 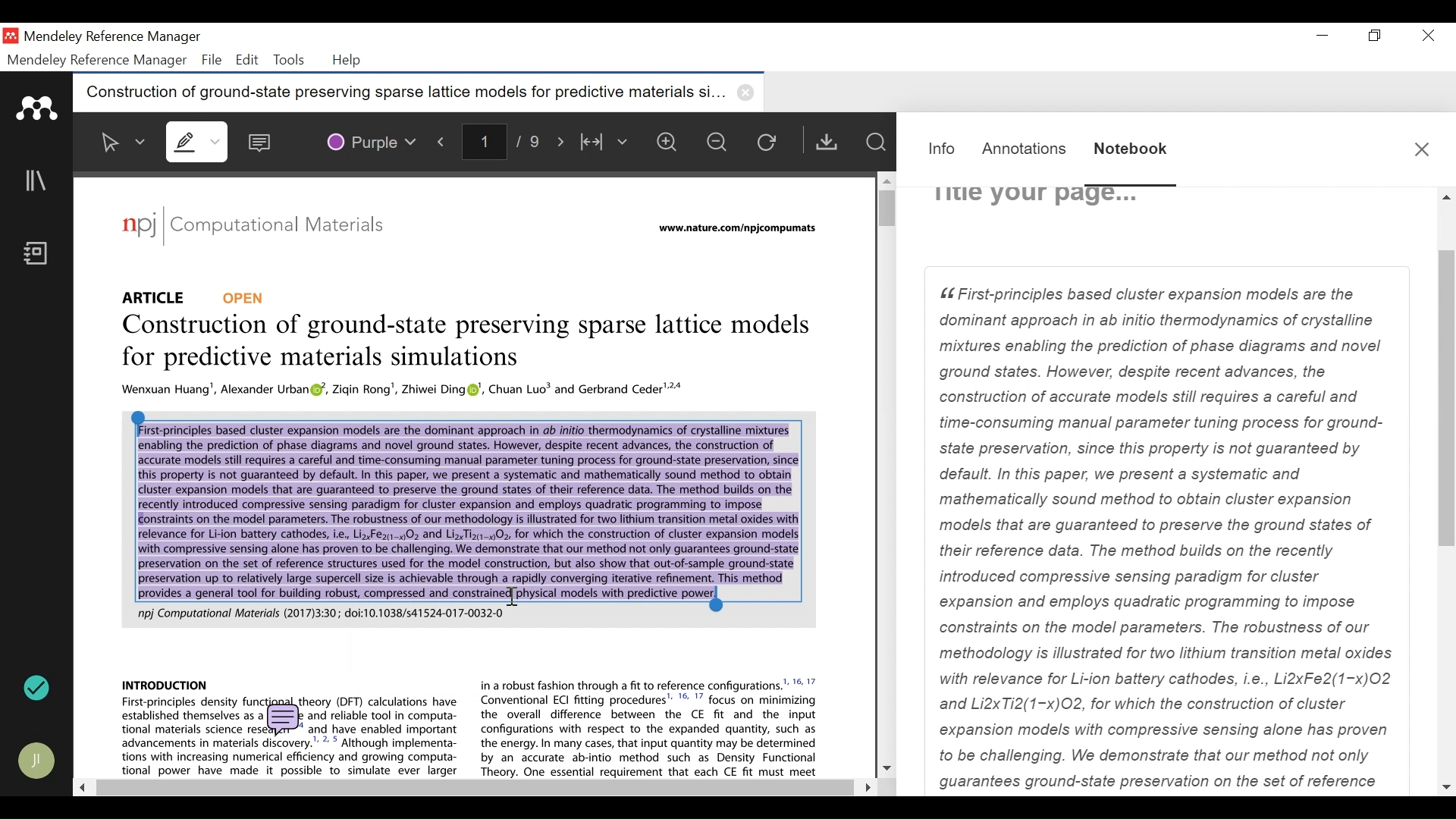 What do you see at coordinates (1447, 401) in the screenshot?
I see `Vertical Scroll bar` at bounding box center [1447, 401].